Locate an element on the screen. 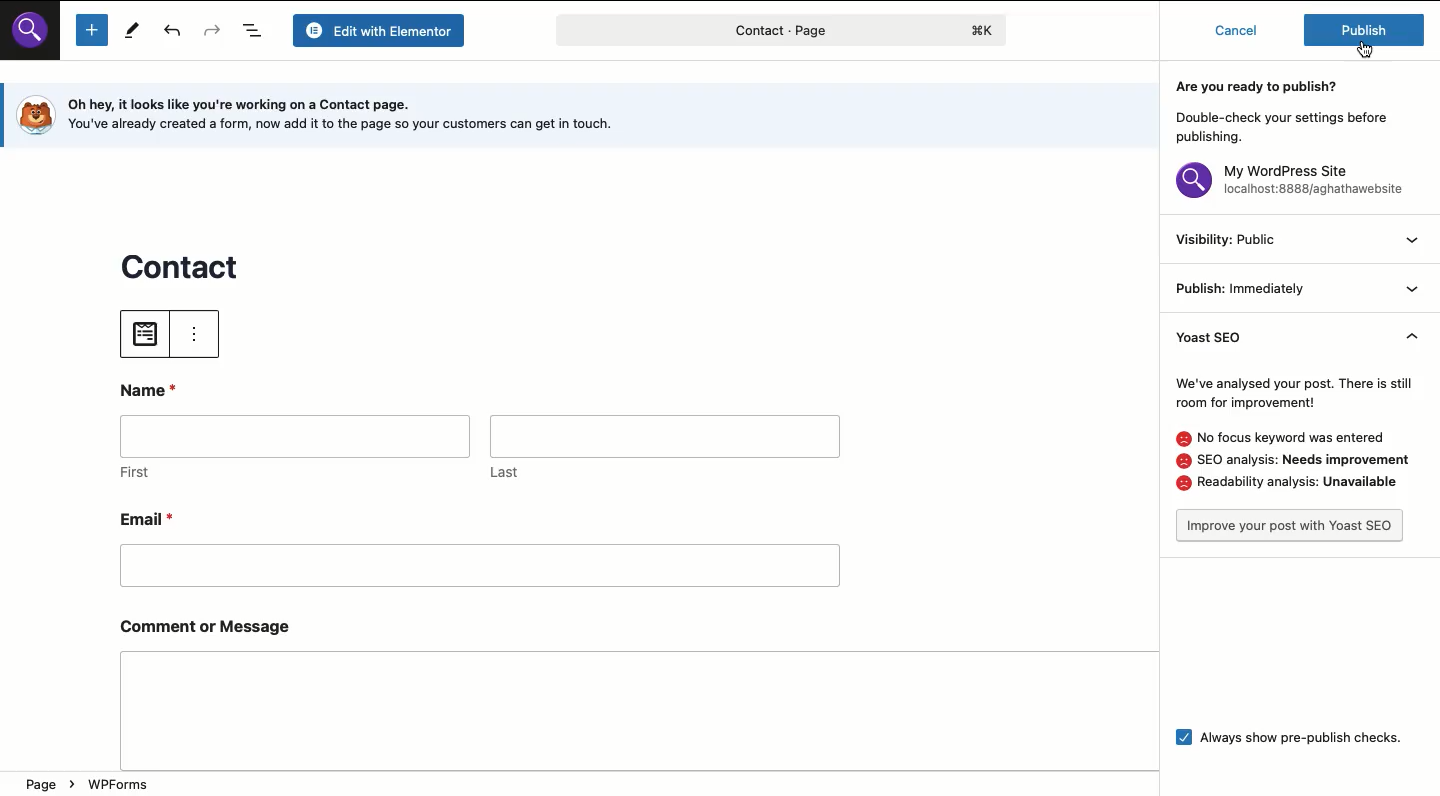 The width and height of the screenshot is (1440, 796). Click publish is located at coordinates (1365, 30).